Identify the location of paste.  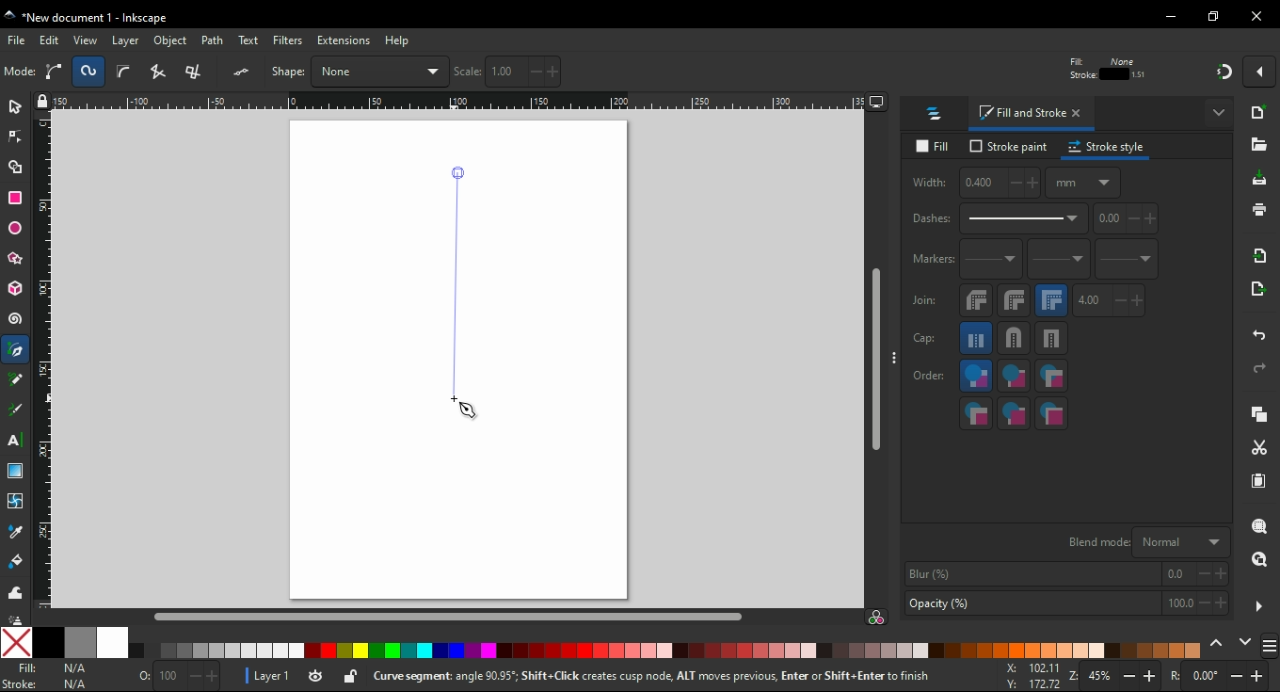
(1258, 481).